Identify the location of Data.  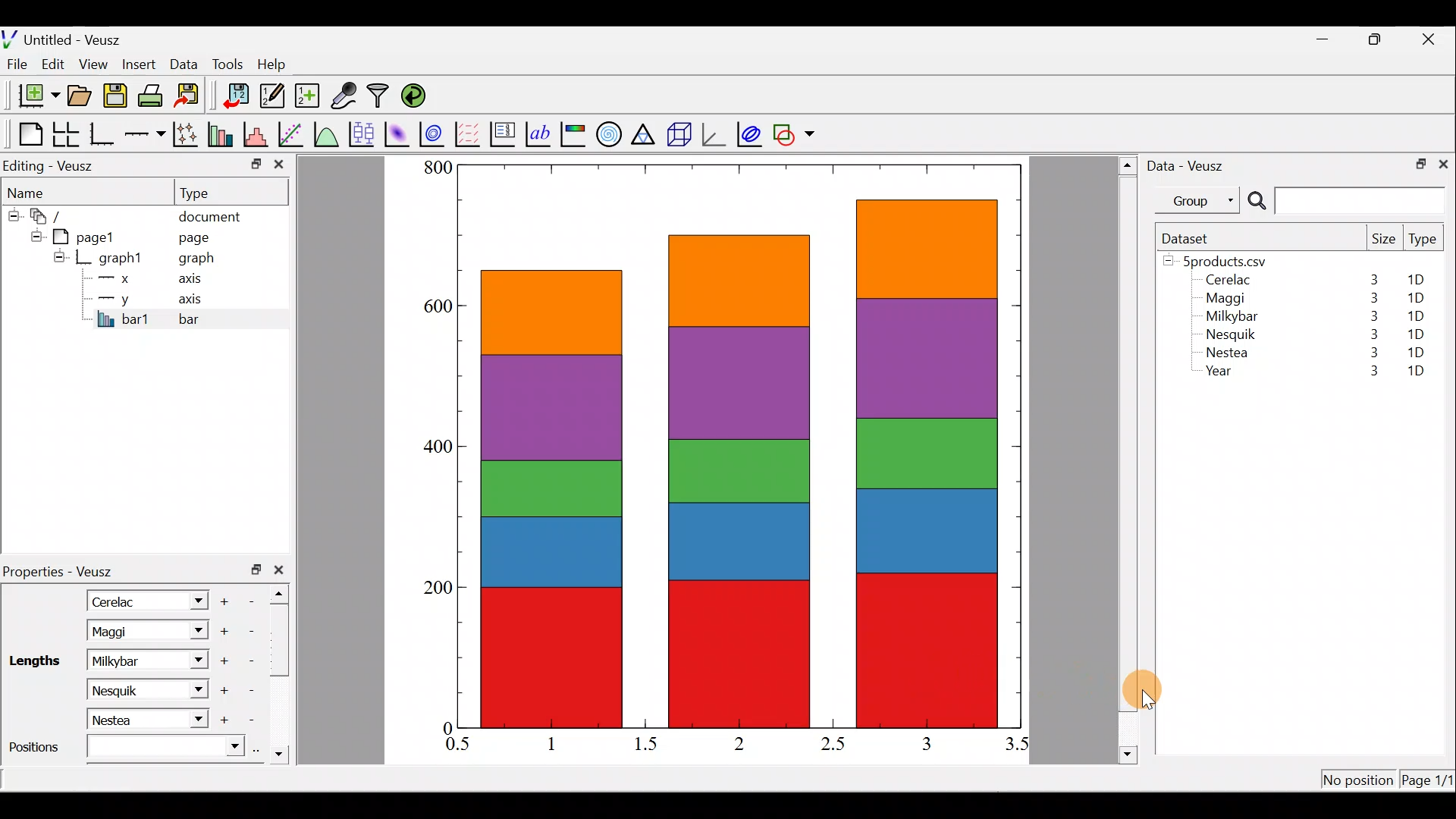
(184, 63).